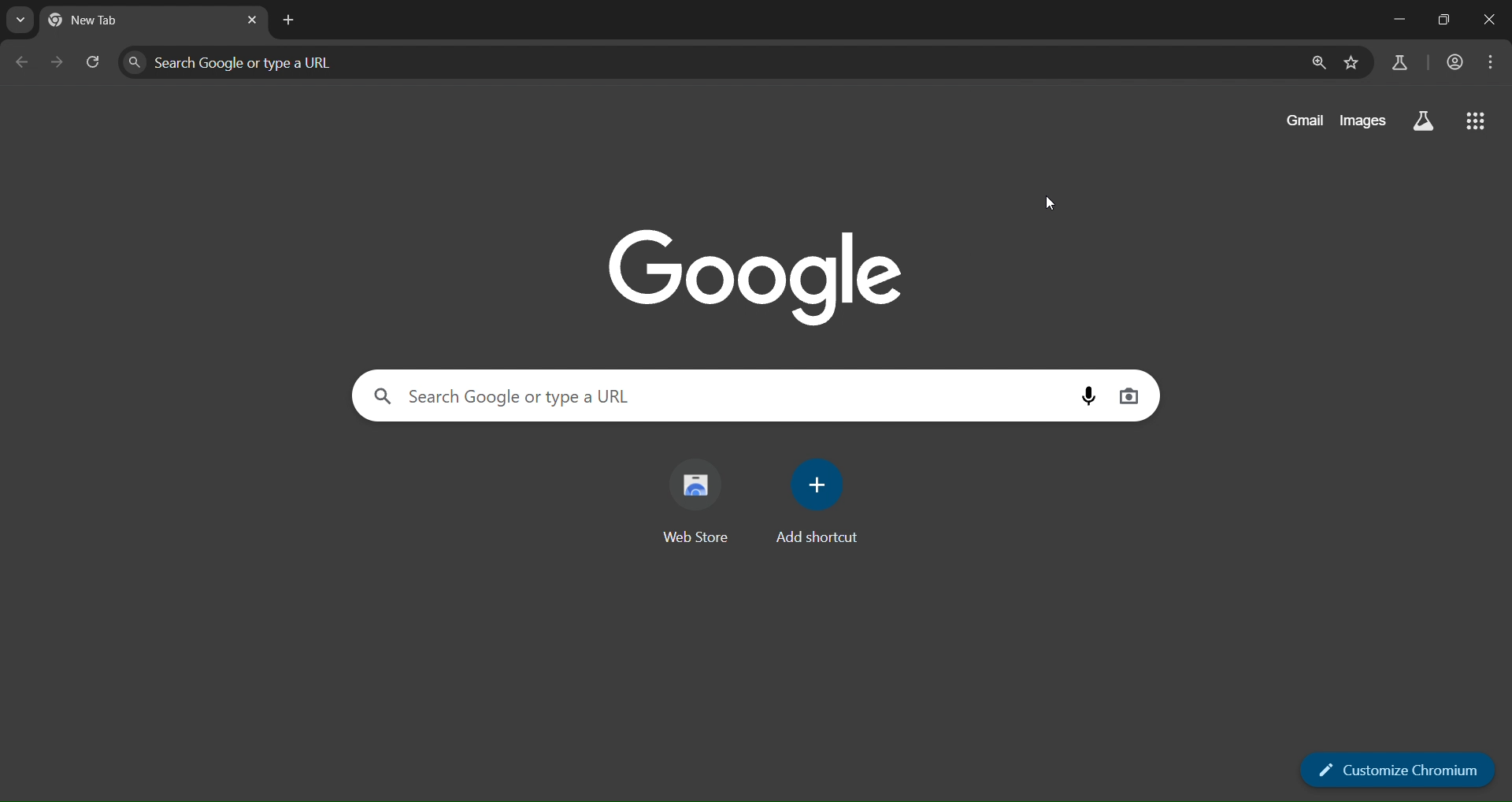 This screenshot has width=1512, height=802. Describe the element at coordinates (1458, 61) in the screenshot. I see `account` at that location.